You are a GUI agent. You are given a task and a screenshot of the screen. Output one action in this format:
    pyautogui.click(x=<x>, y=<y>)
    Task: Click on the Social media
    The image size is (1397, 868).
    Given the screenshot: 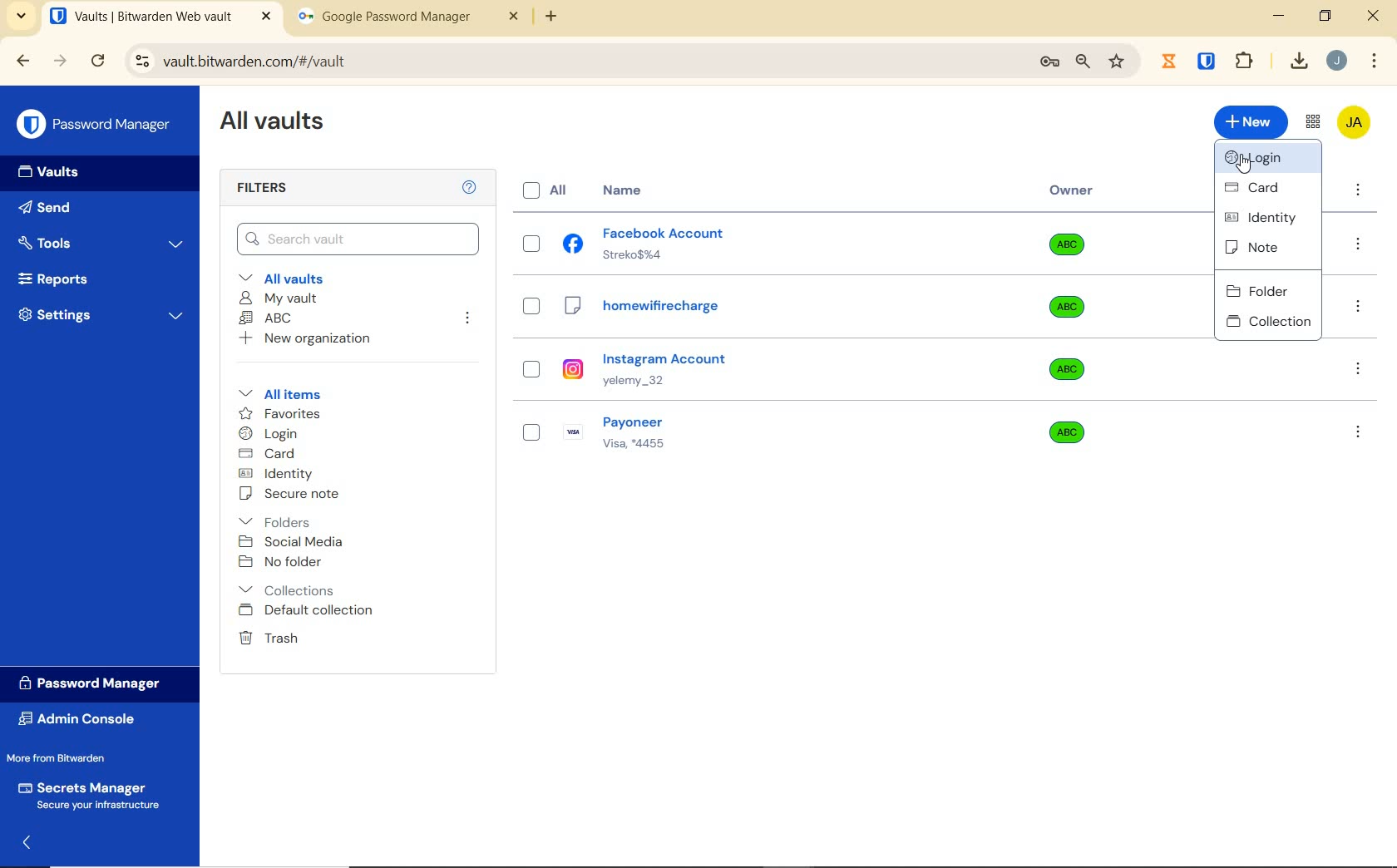 What is the action you would take?
    pyautogui.click(x=289, y=541)
    